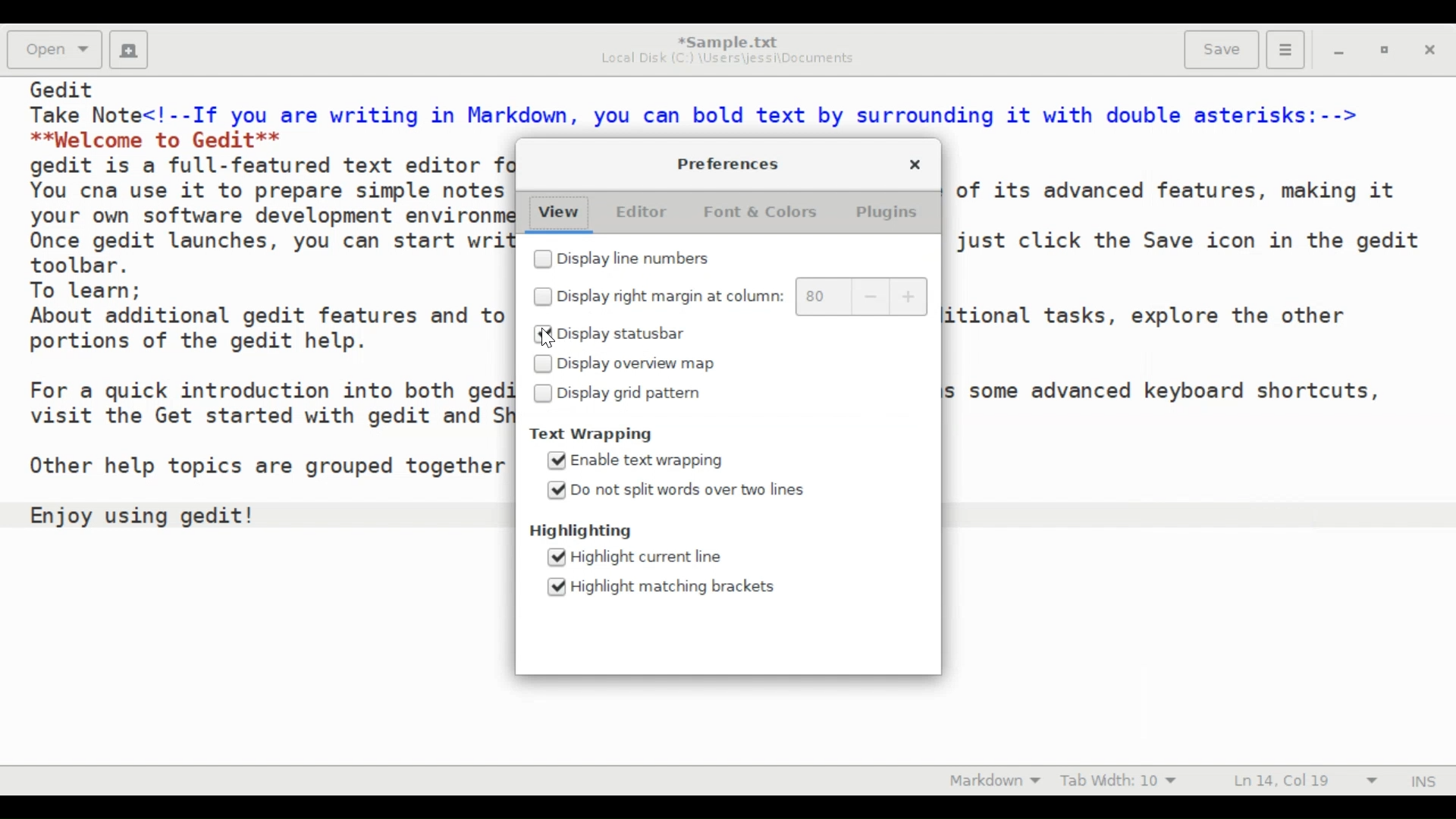 The width and height of the screenshot is (1456, 819). I want to click on (un)select Display statusbar, so click(613, 334).